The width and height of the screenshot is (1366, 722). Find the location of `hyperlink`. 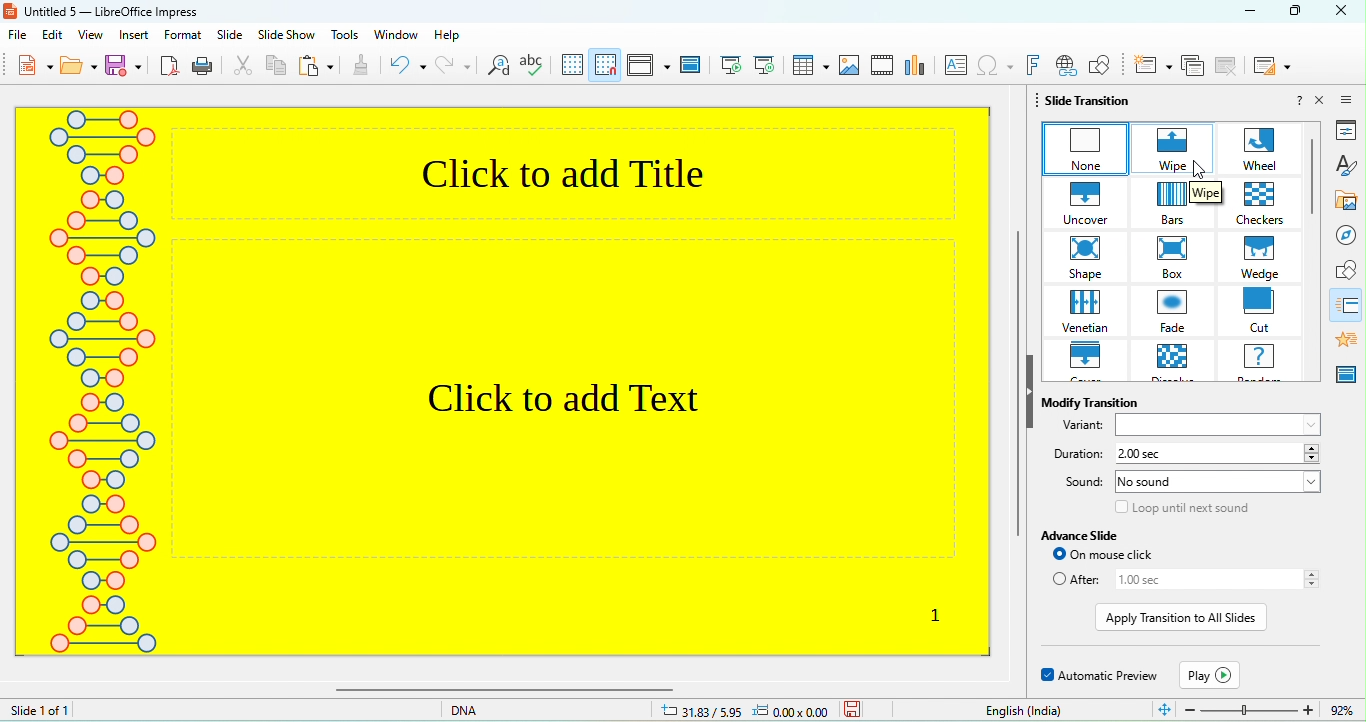

hyperlink is located at coordinates (1066, 65).